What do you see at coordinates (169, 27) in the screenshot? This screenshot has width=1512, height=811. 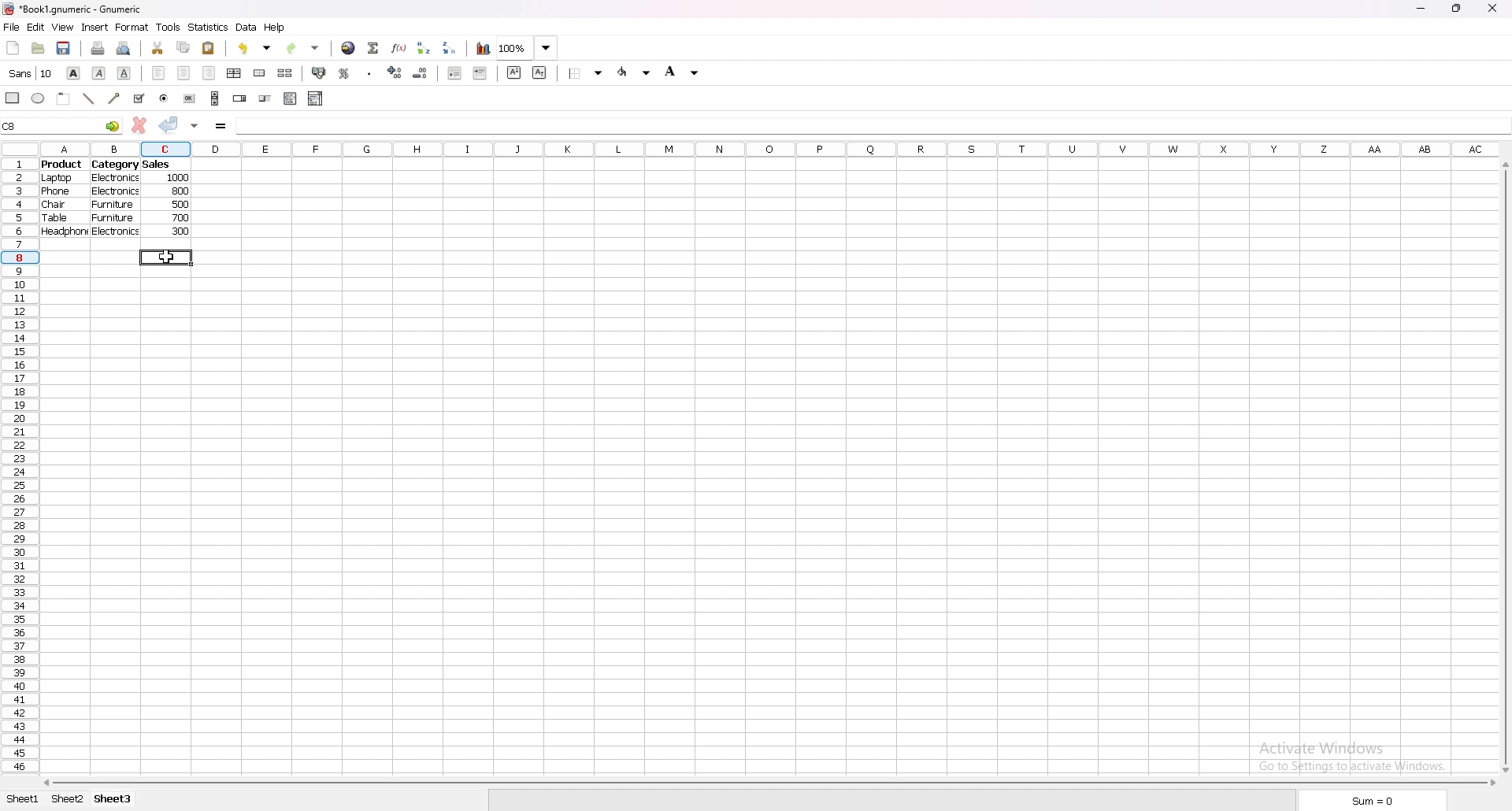 I see `tools` at bounding box center [169, 27].